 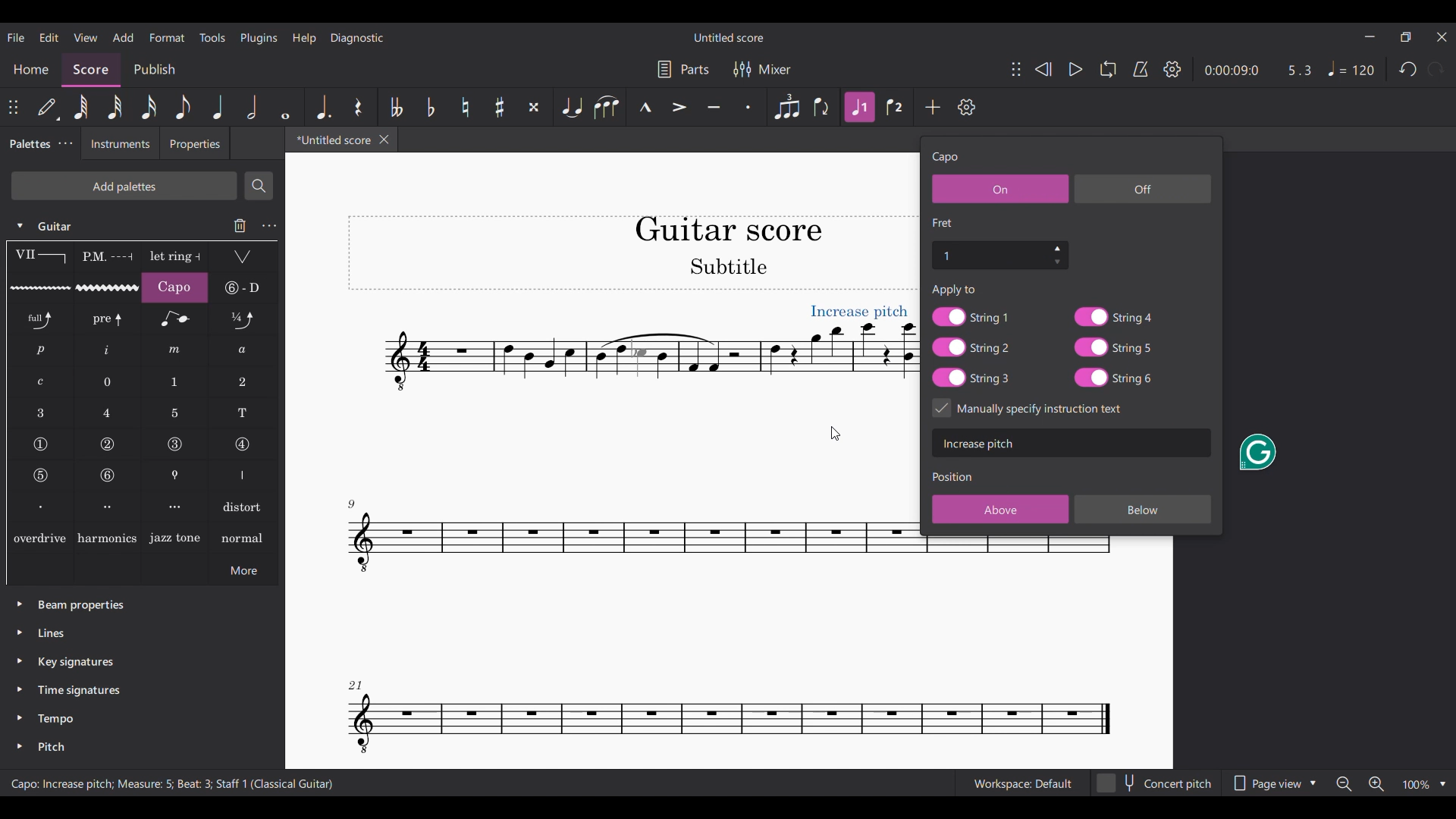 I want to click on File menu, so click(x=17, y=37).